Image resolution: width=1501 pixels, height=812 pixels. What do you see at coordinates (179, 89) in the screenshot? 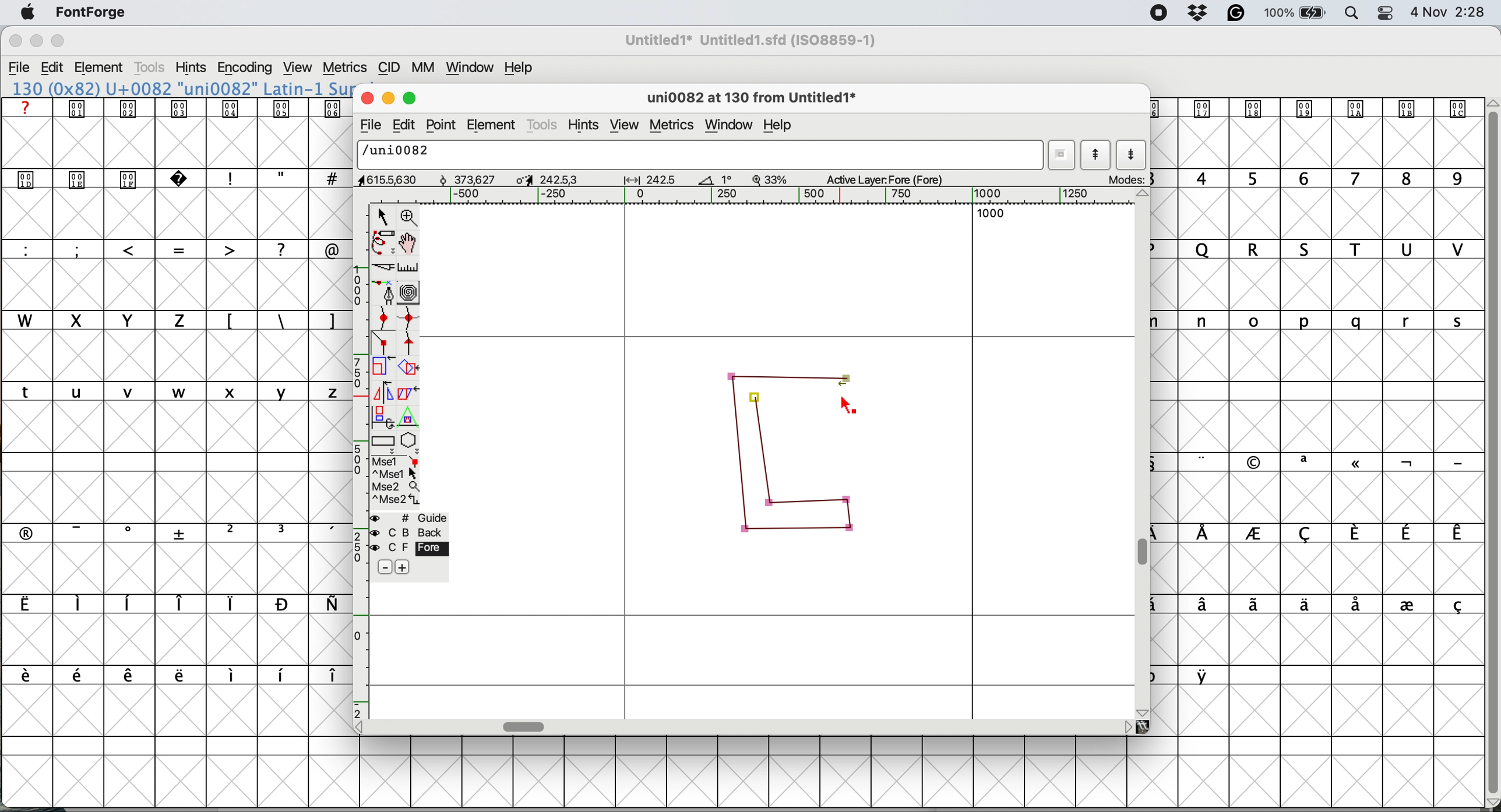
I see `font name` at bounding box center [179, 89].